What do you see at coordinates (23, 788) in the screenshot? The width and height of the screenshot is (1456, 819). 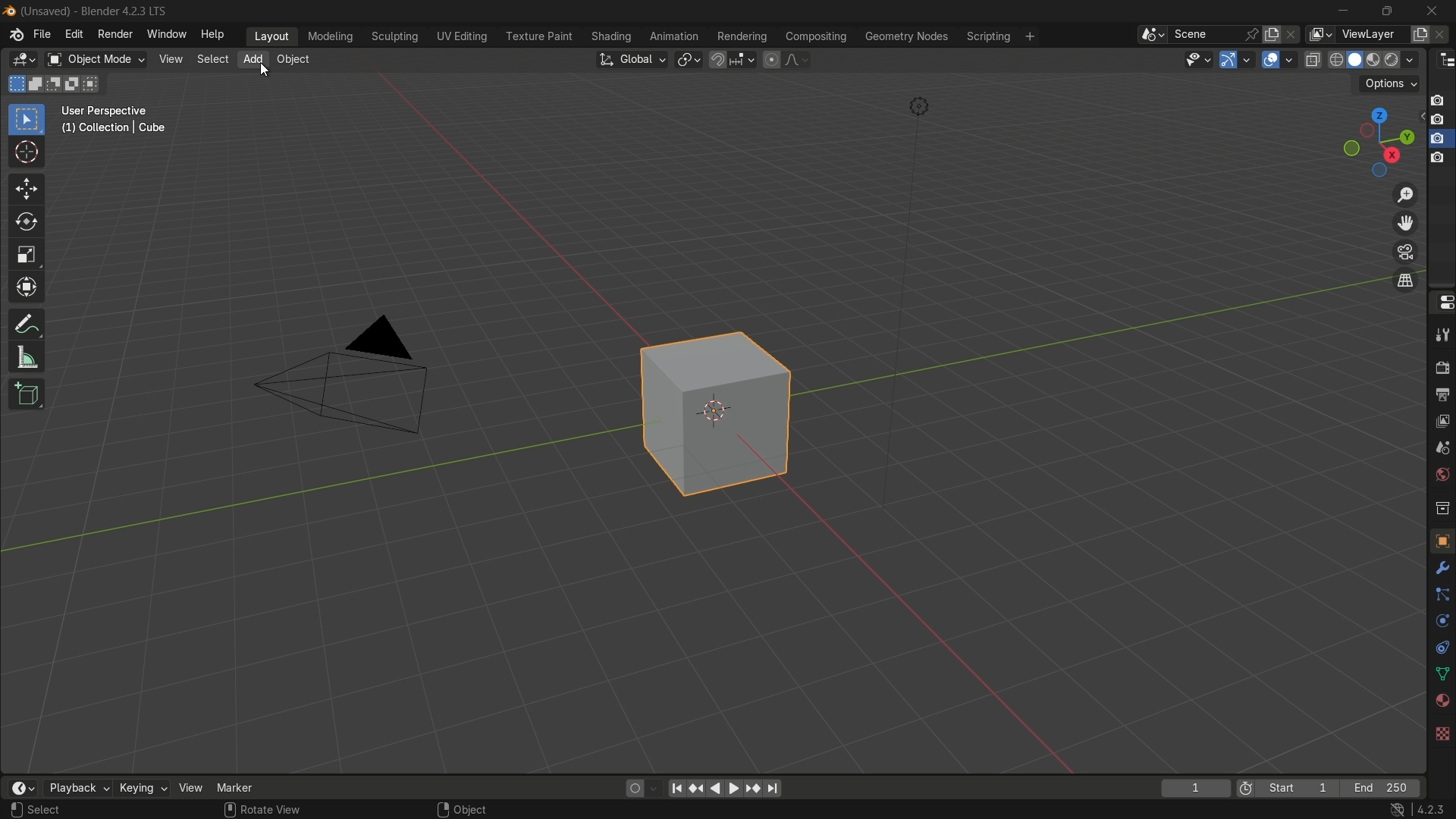 I see `timeline` at bounding box center [23, 788].